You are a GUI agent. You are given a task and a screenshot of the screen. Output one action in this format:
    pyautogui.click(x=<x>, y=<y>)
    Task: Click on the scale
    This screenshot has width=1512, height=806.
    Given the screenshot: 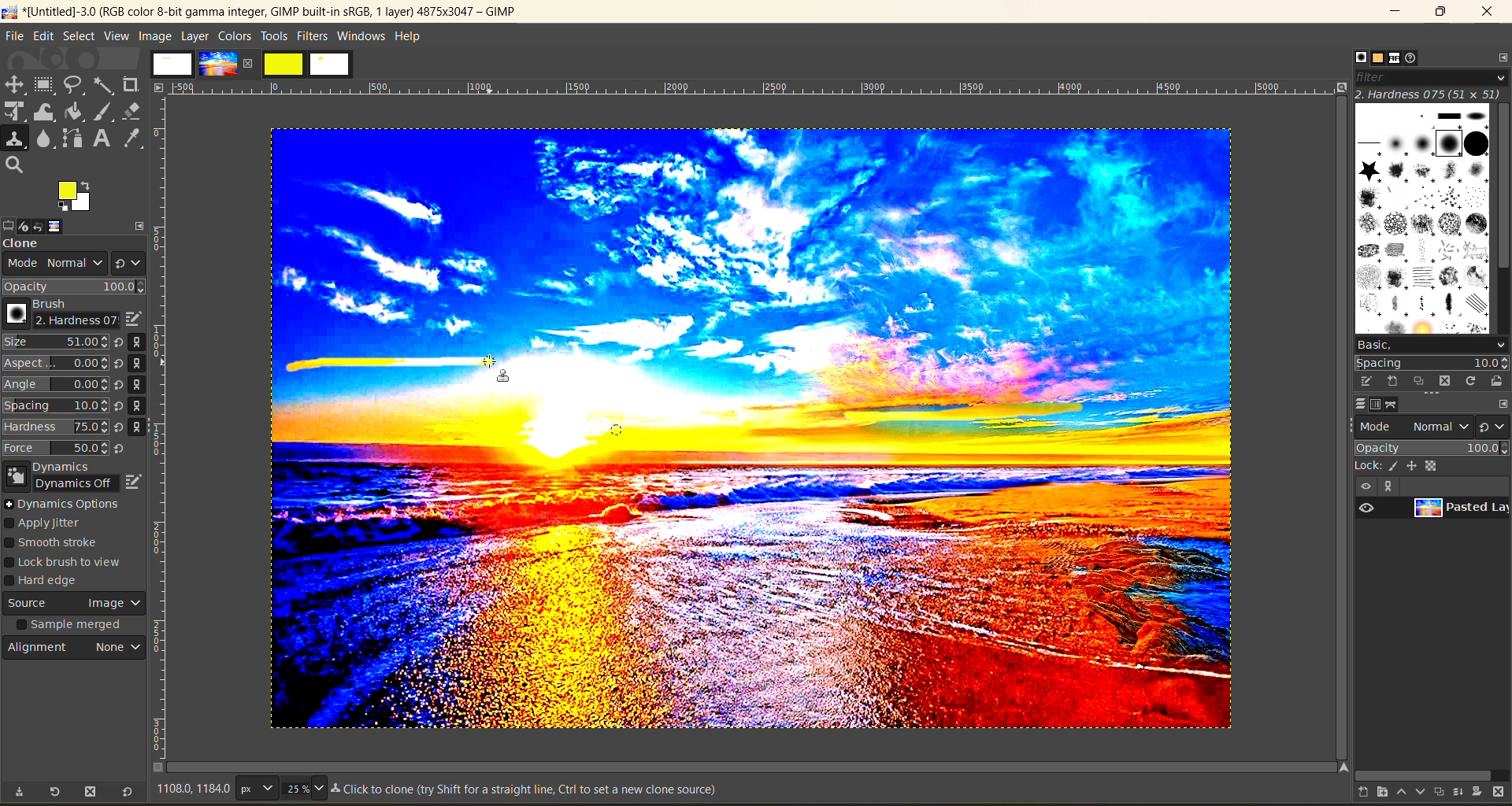 What is the action you would take?
    pyautogui.click(x=15, y=113)
    